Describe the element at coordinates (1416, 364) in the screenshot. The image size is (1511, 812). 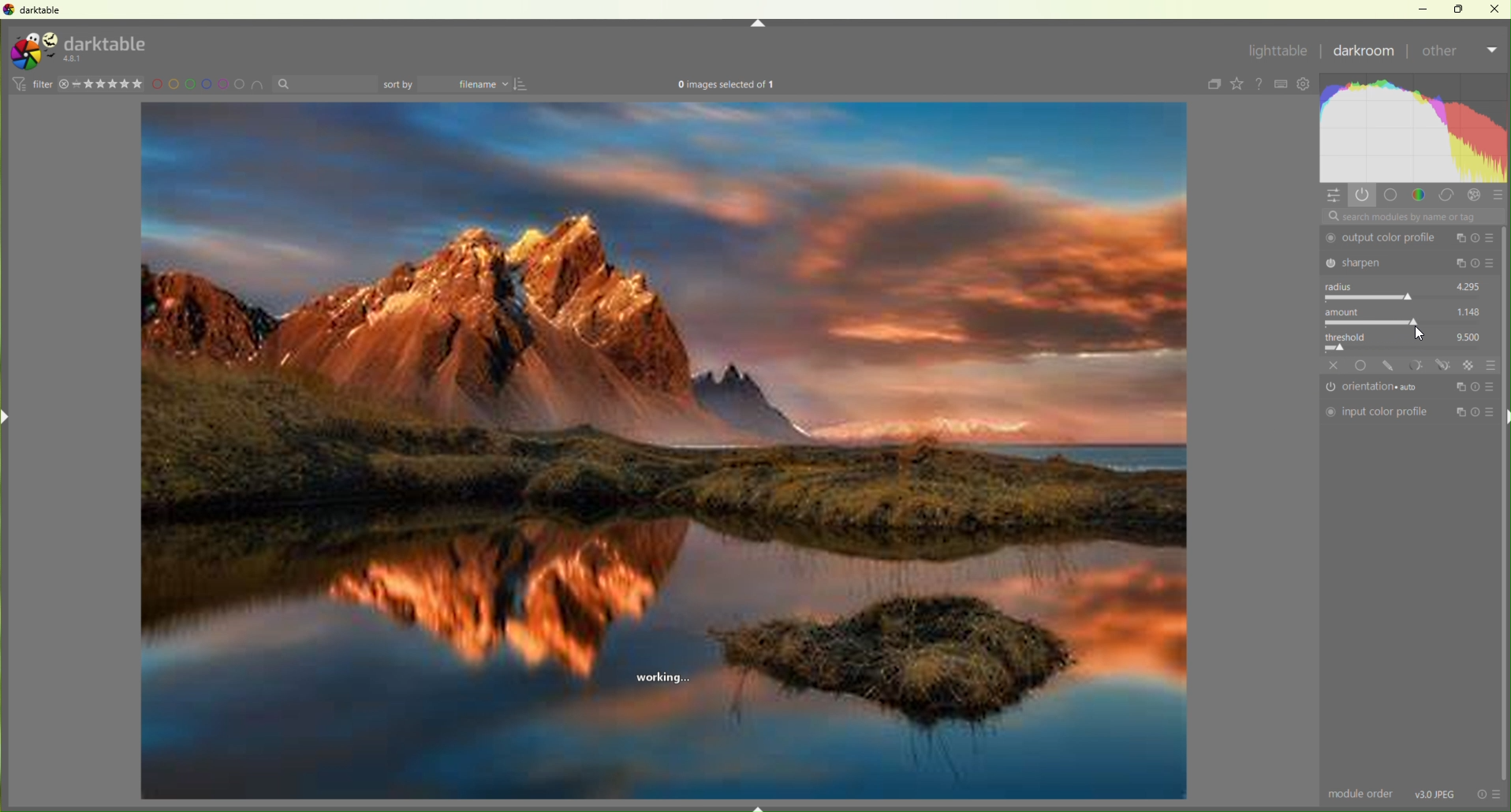
I see `tool` at that location.